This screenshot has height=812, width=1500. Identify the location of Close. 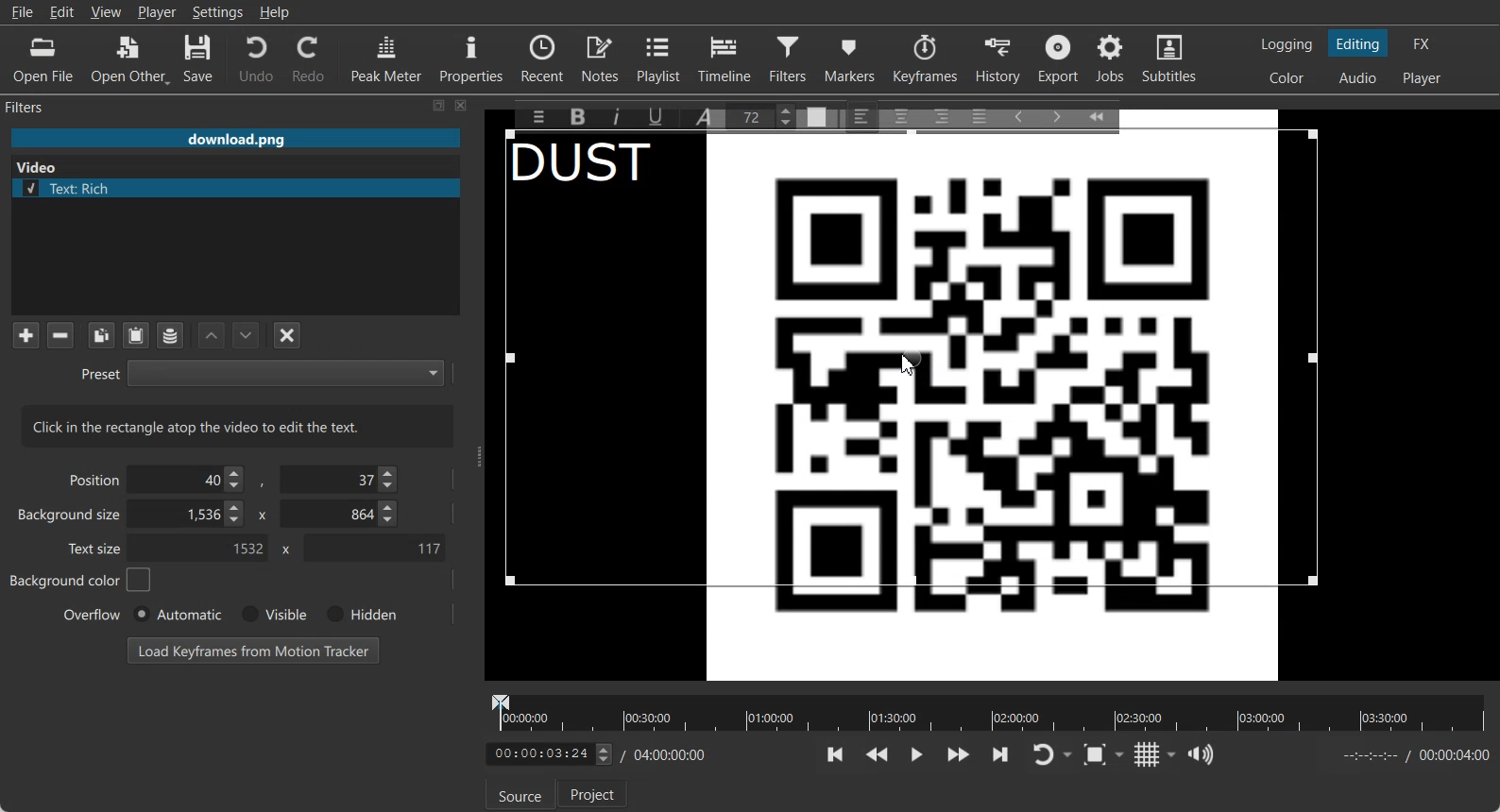
(462, 105).